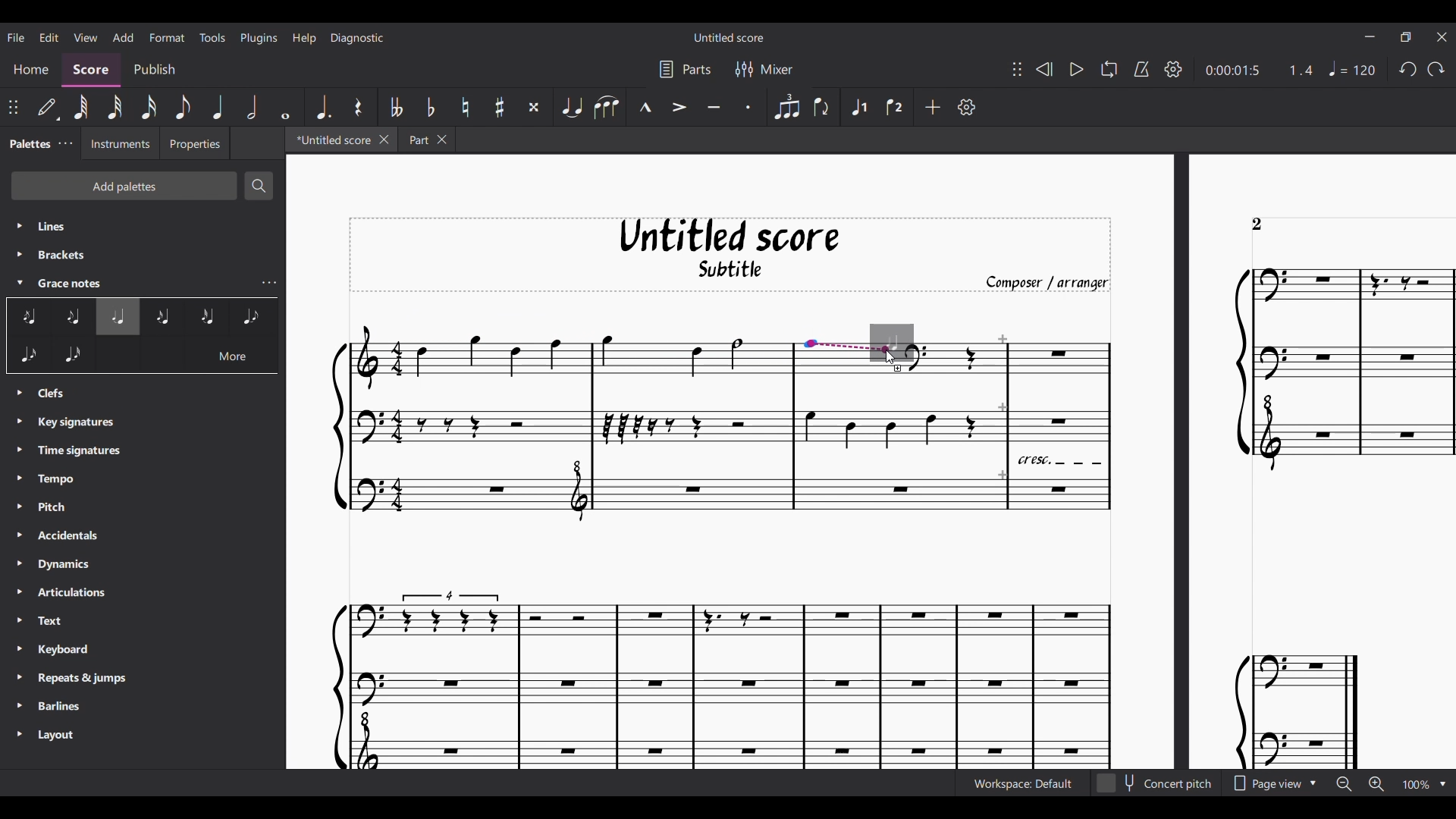 This screenshot has width=1456, height=819. What do you see at coordinates (685, 70) in the screenshot?
I see `Parts settings` at bounding box center [685, 70].